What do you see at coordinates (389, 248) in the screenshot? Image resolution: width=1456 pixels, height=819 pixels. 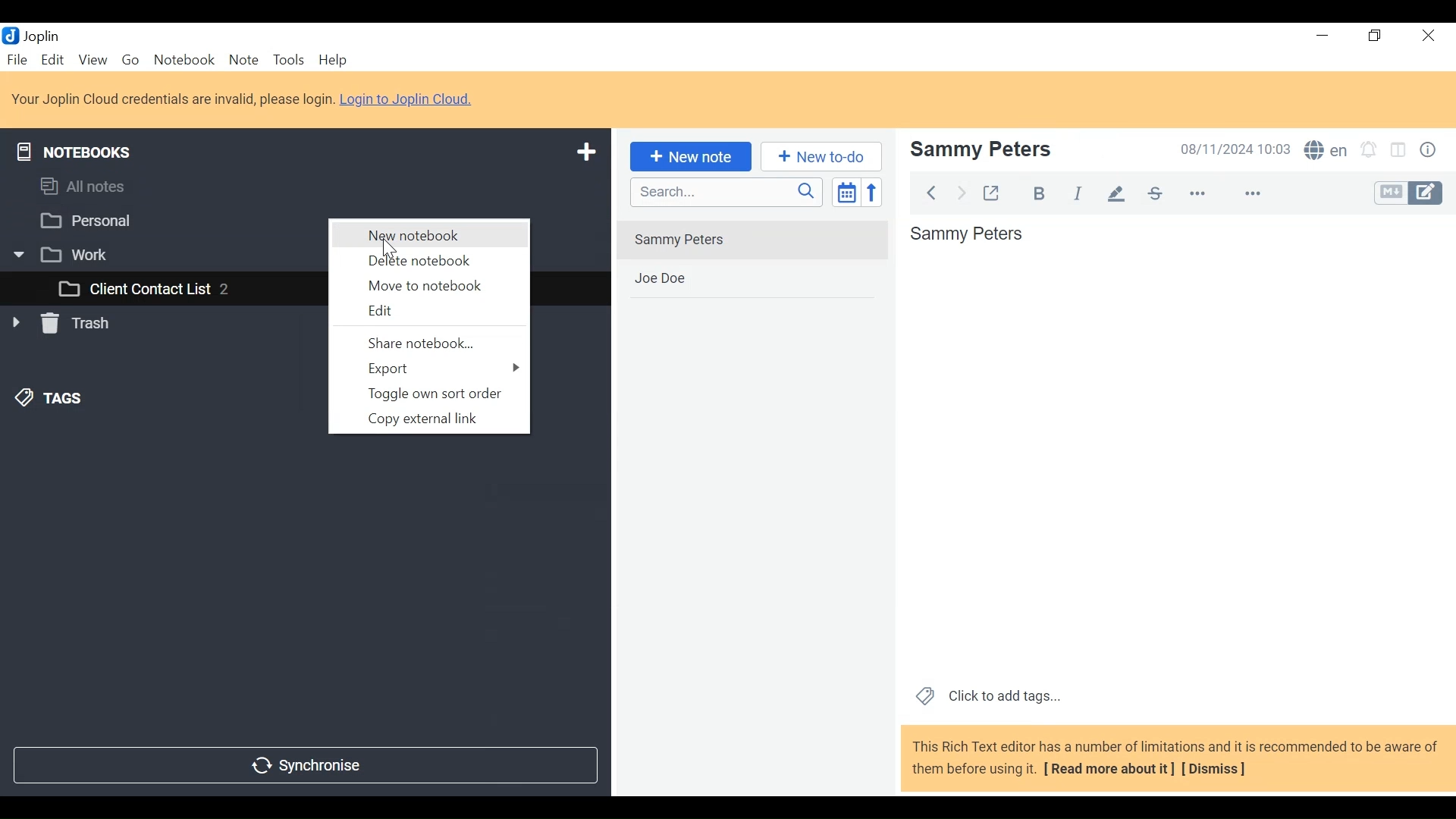 I see `cursor` at bounding box center [389, 248].